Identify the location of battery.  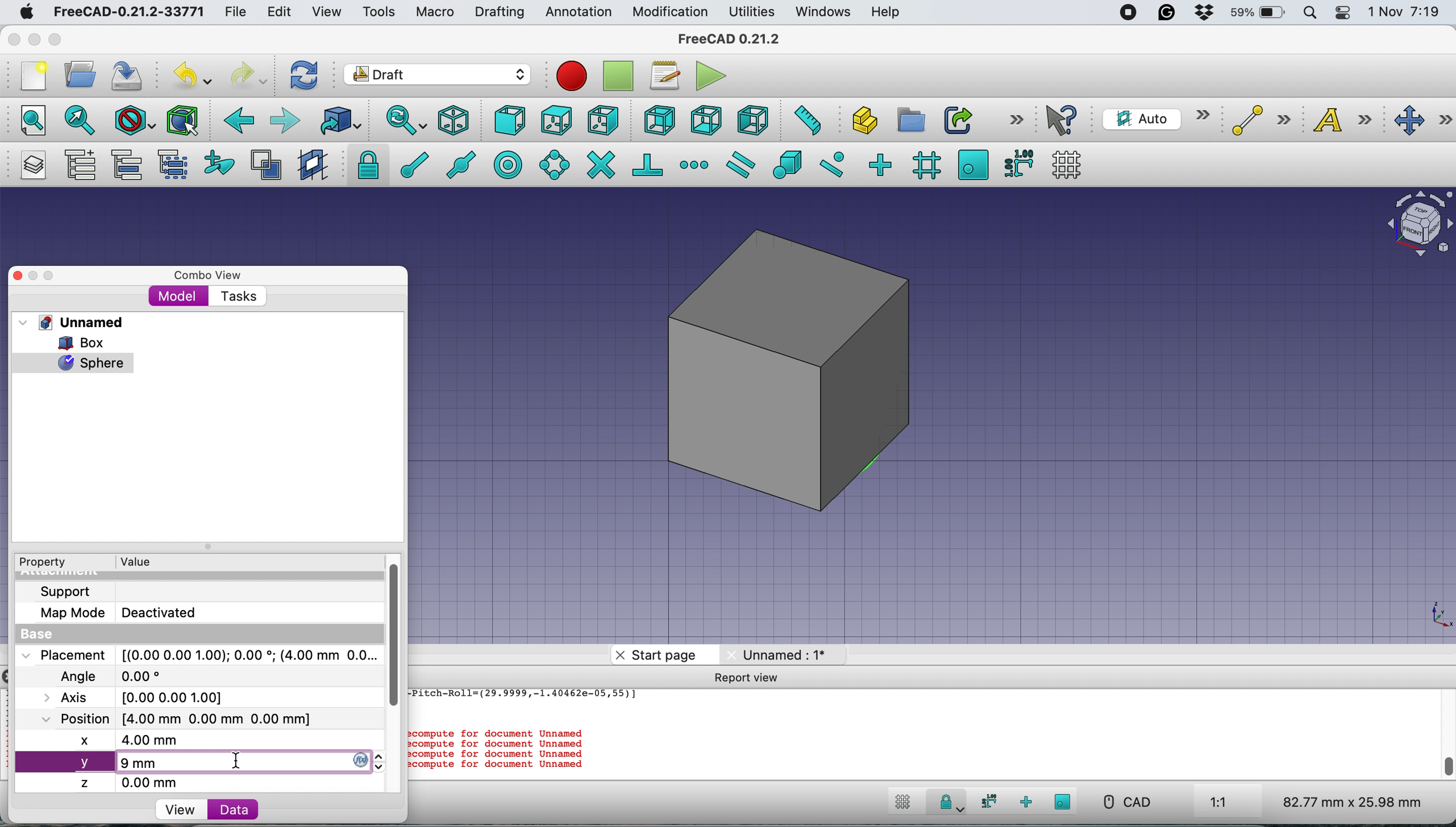
(1254, 14).